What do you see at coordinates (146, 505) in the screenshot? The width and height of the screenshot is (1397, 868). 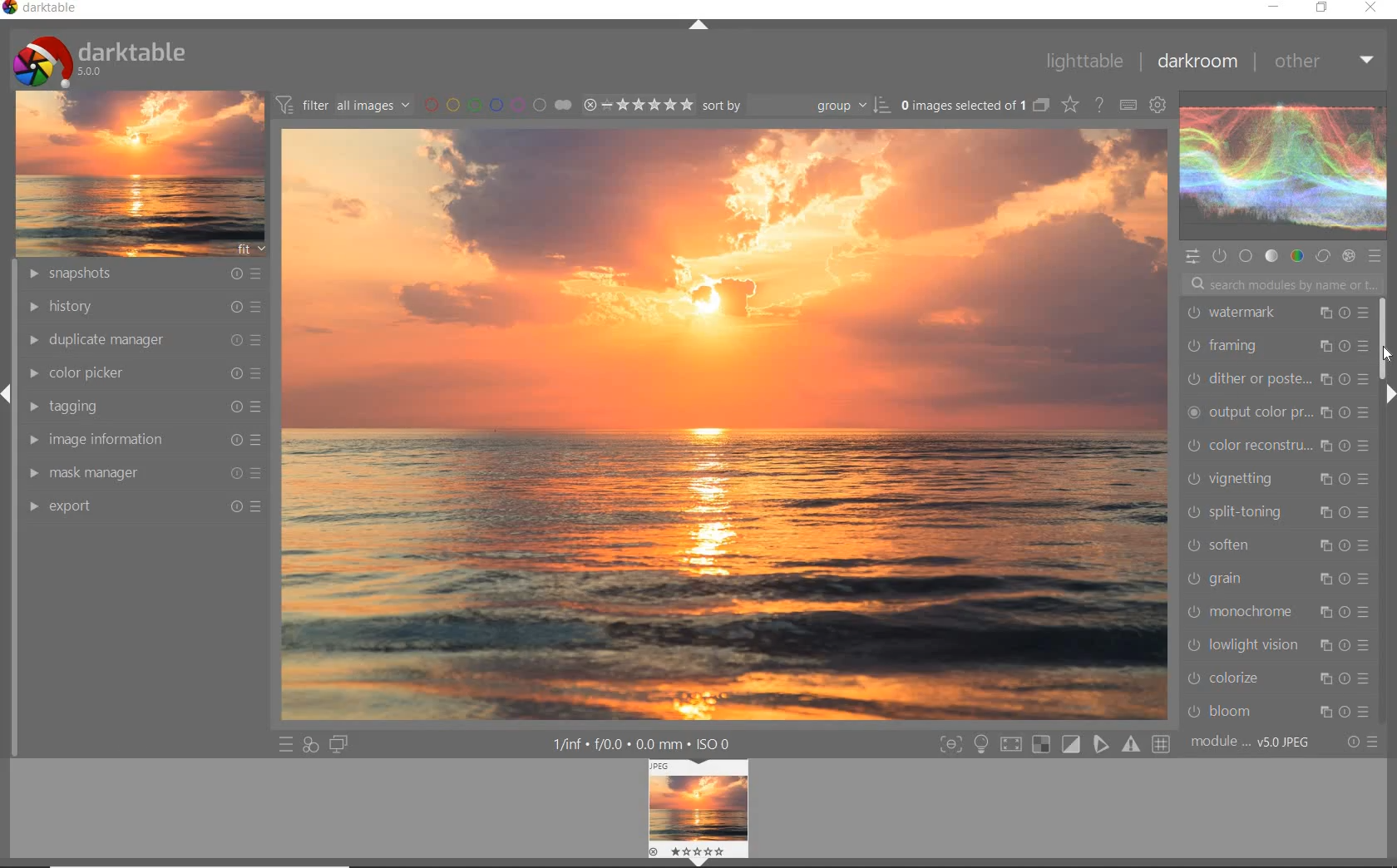 I see `EXPORT` at bounding box center [146, 505].